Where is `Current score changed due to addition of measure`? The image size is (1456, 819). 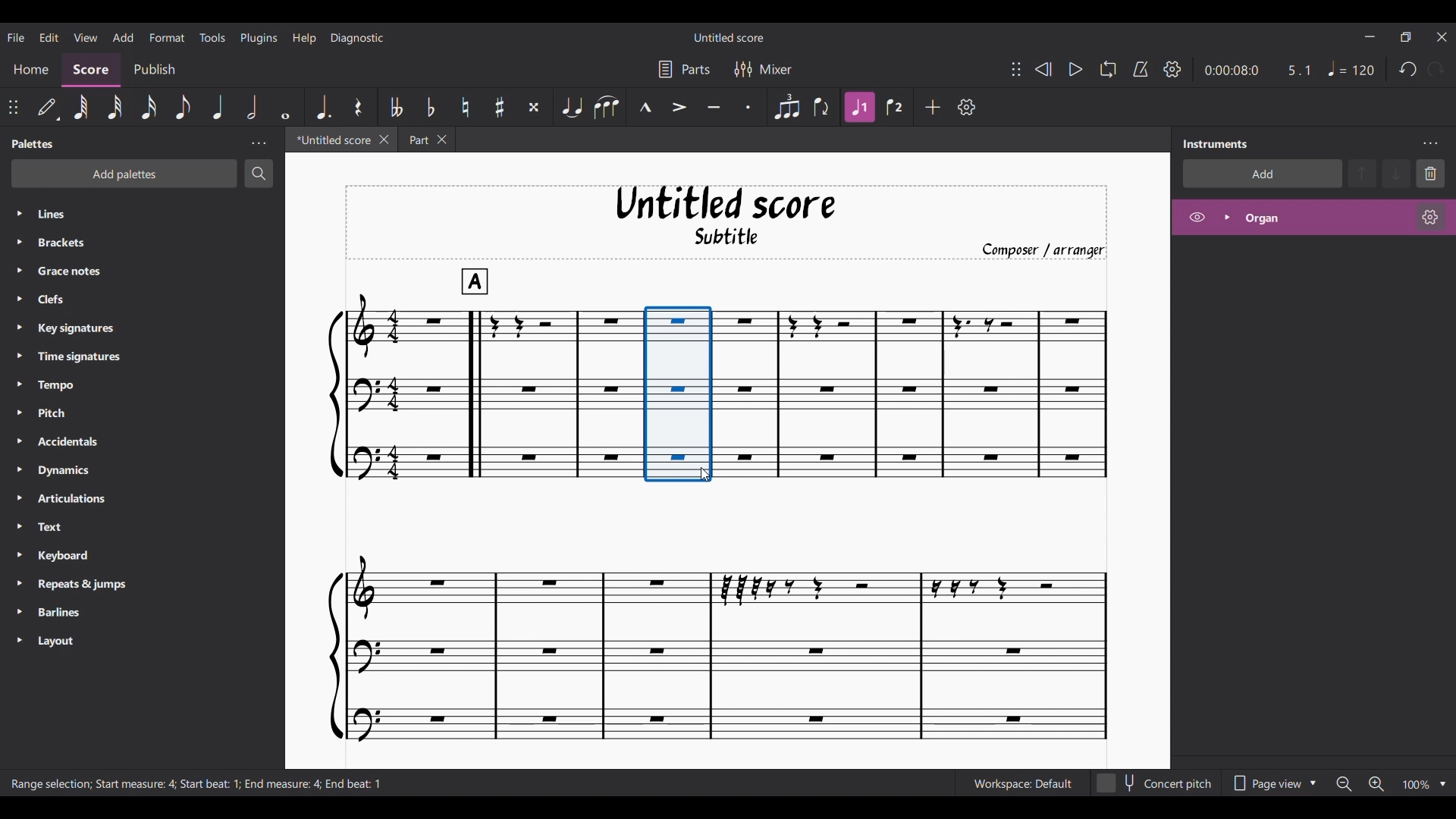
Current score changed due to addition of measure is located at coordinates (720, 650).